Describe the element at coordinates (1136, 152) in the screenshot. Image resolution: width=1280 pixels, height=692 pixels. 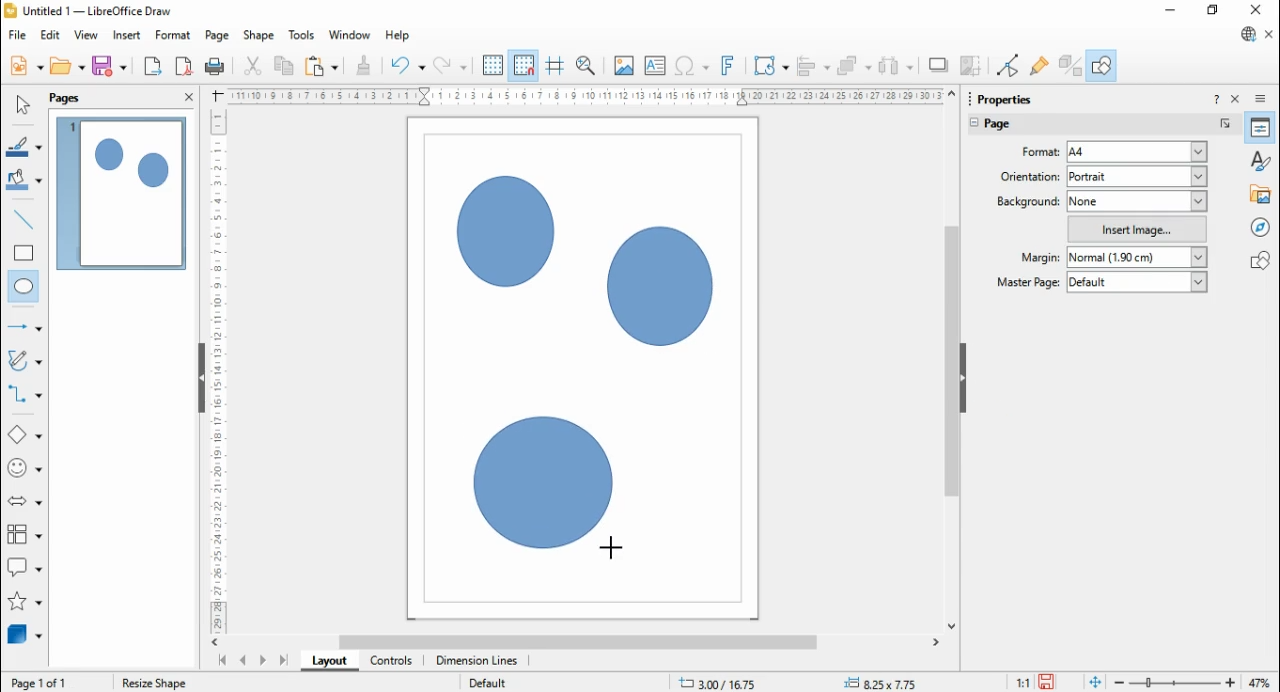
I see `a4` at that location.